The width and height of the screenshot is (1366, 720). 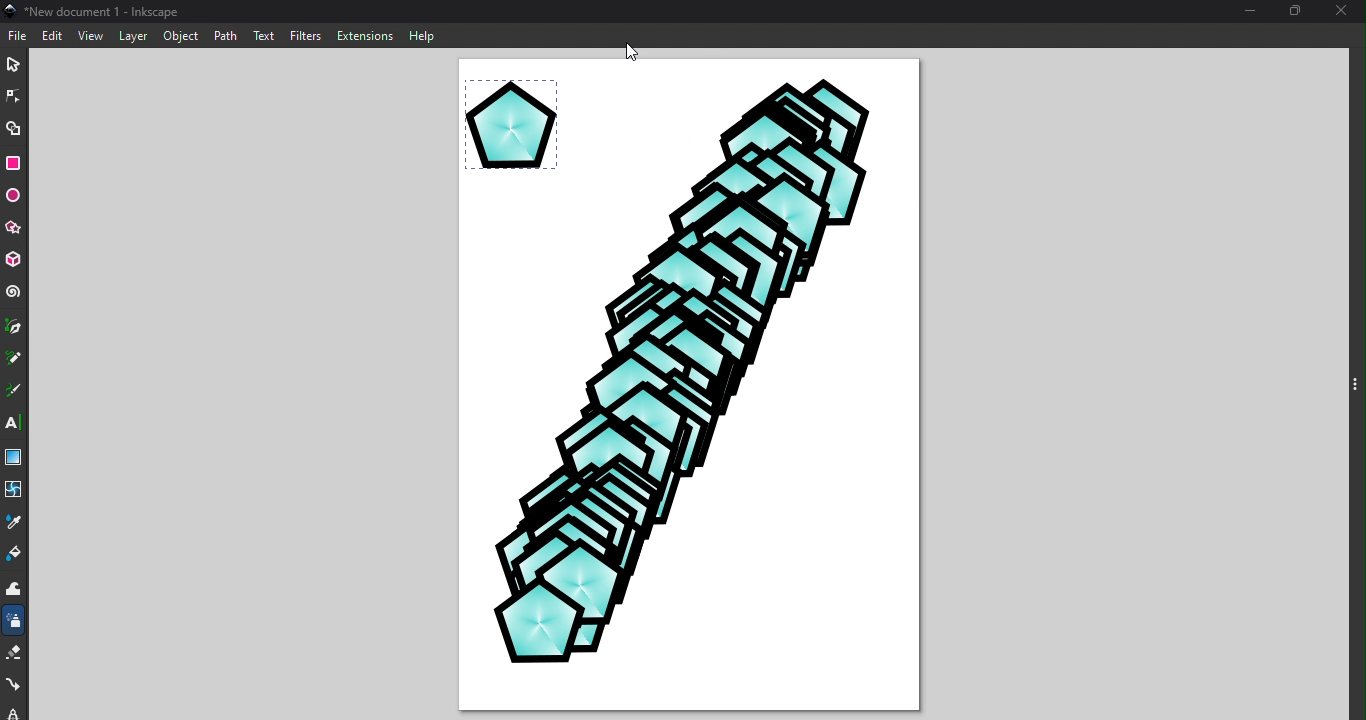 I want to click on Edit, so click(x=53, y=35).